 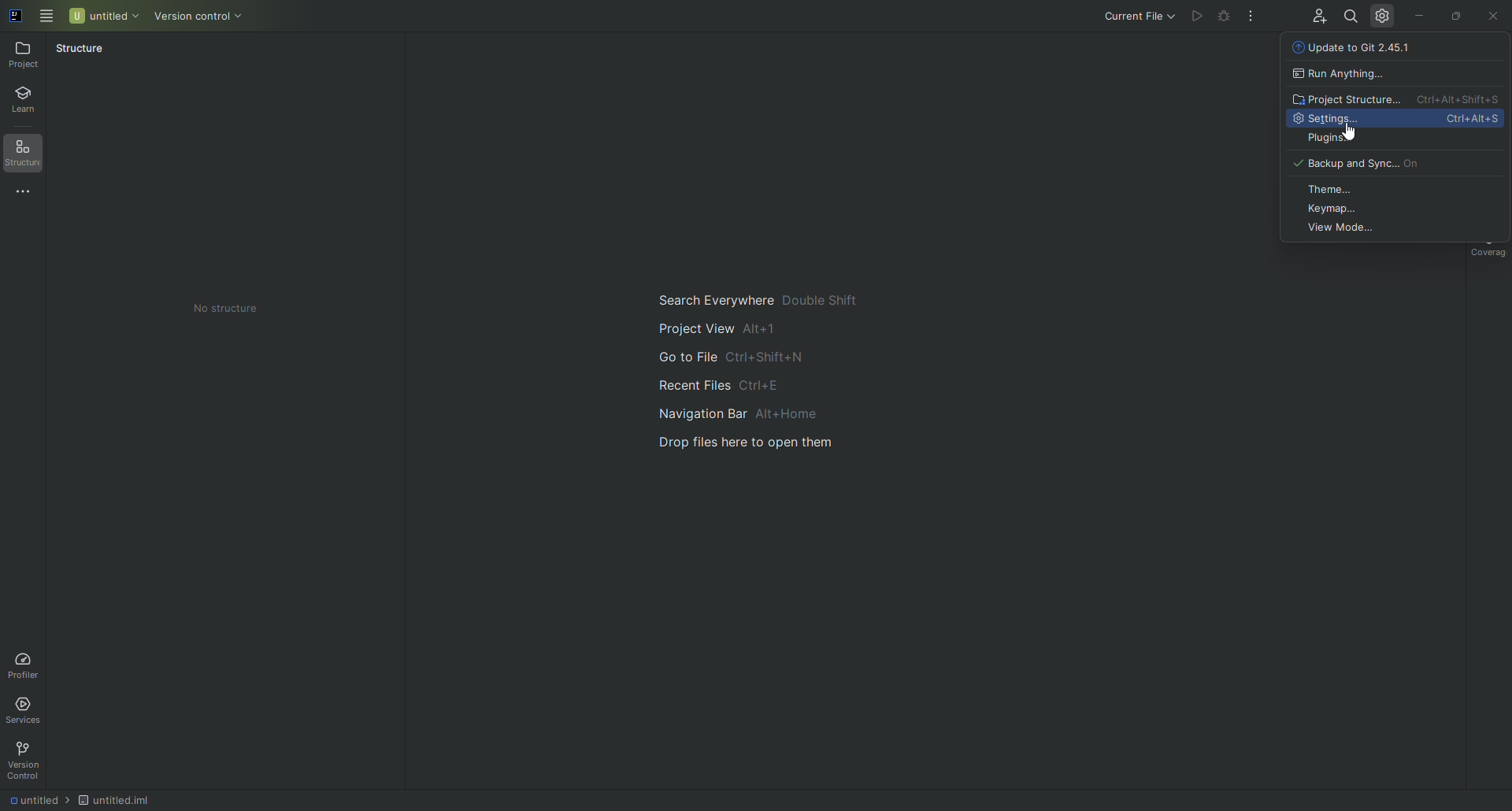 What do you see at coordinates (113, 797) in the screenshot?
I see `Untitled.iml` at bounding box center [113, 797].